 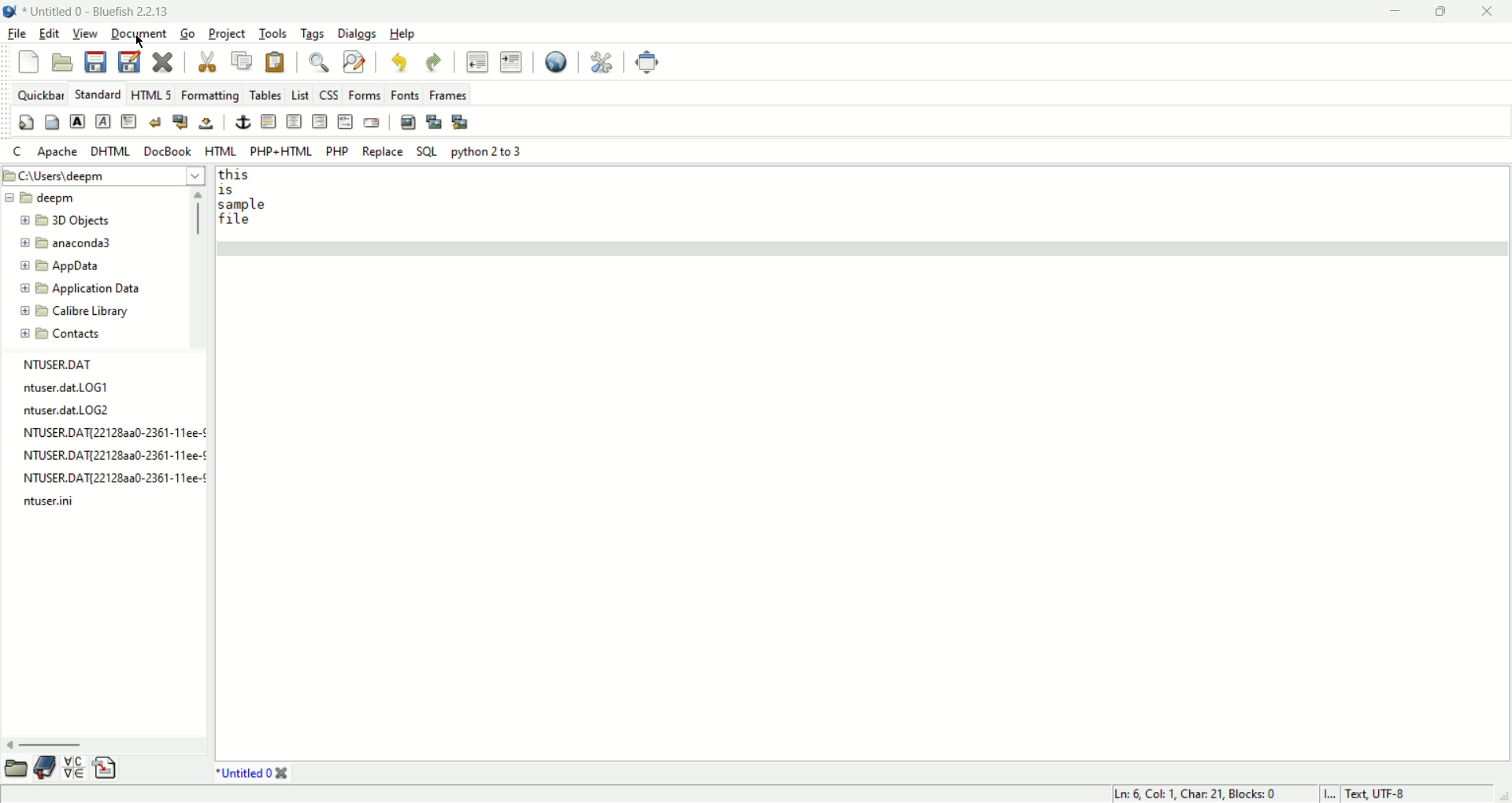 I want to click on unindent, so click(x=474, y=62).